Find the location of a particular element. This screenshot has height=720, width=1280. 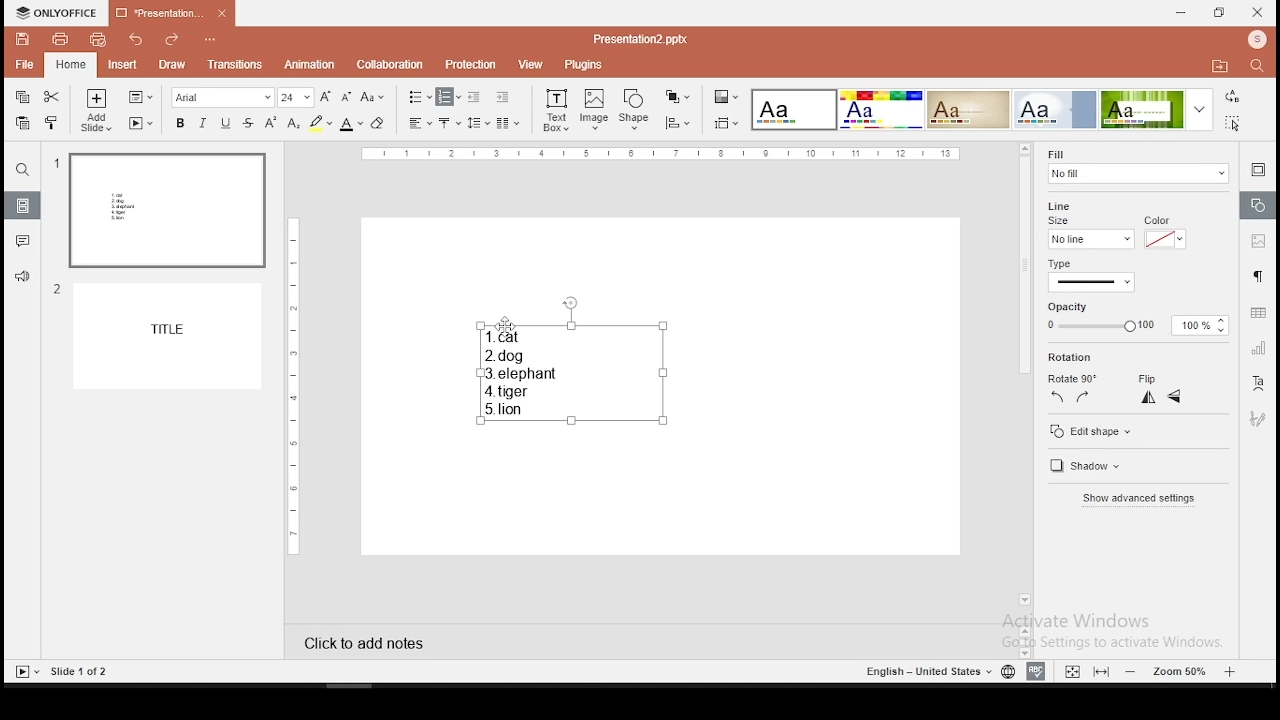

horizontal align is located at coordinates (419, 124).